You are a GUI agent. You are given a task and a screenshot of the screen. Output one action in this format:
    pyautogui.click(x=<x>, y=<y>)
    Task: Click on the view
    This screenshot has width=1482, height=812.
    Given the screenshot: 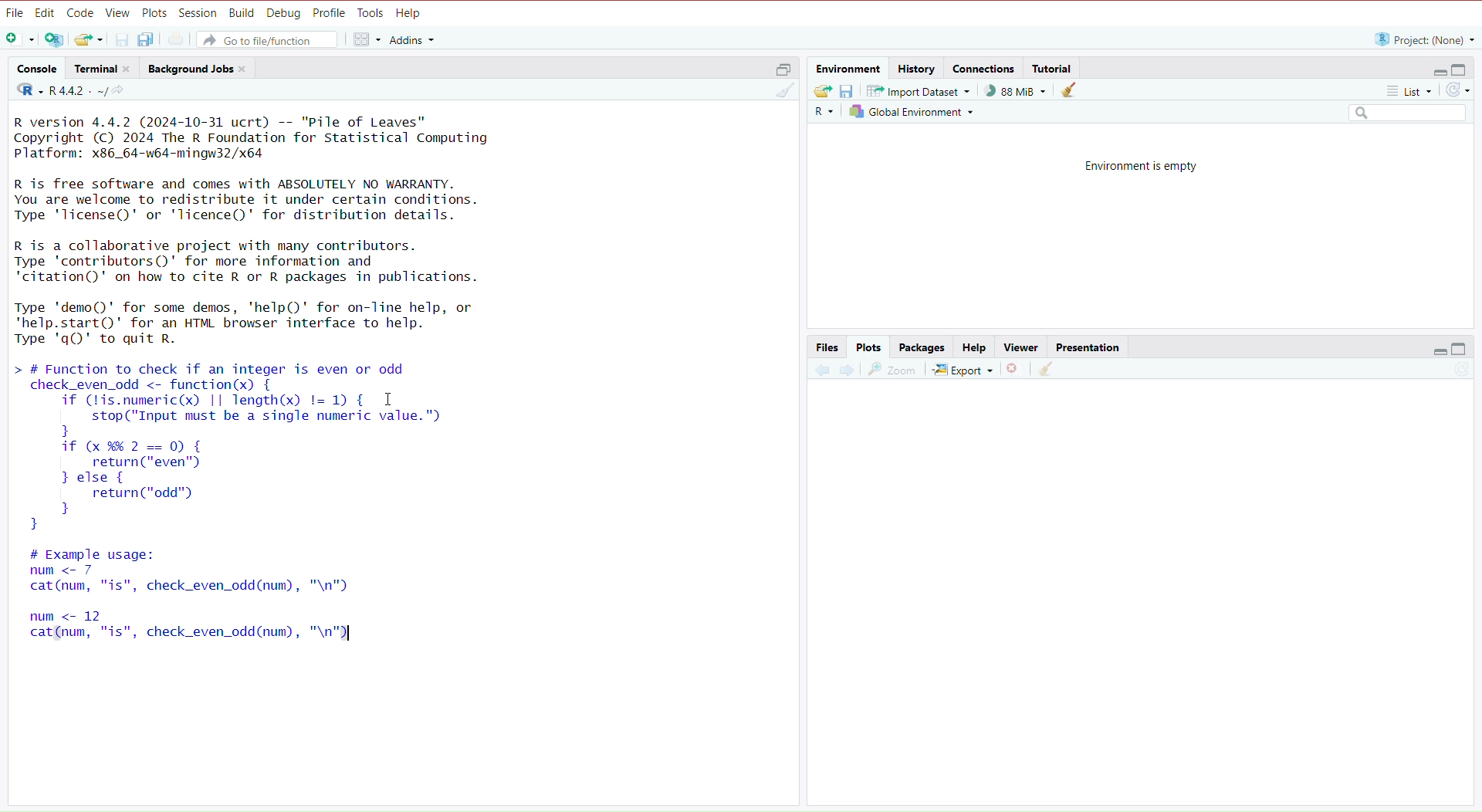 What is the action you would take?
    pyautogui.click(x=118, y=14)
    